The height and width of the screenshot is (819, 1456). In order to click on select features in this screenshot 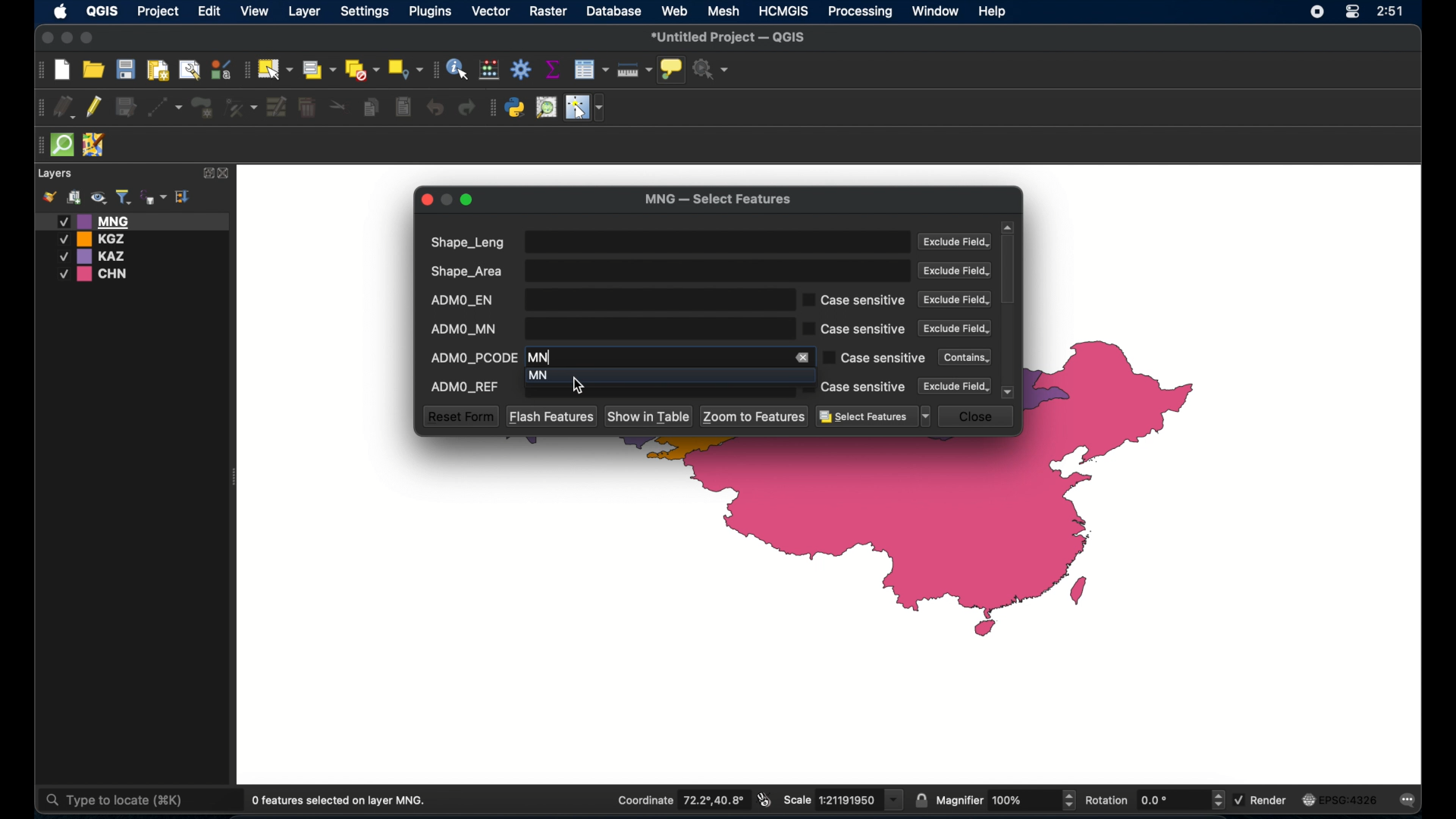, I will do `click(874, 417)`.